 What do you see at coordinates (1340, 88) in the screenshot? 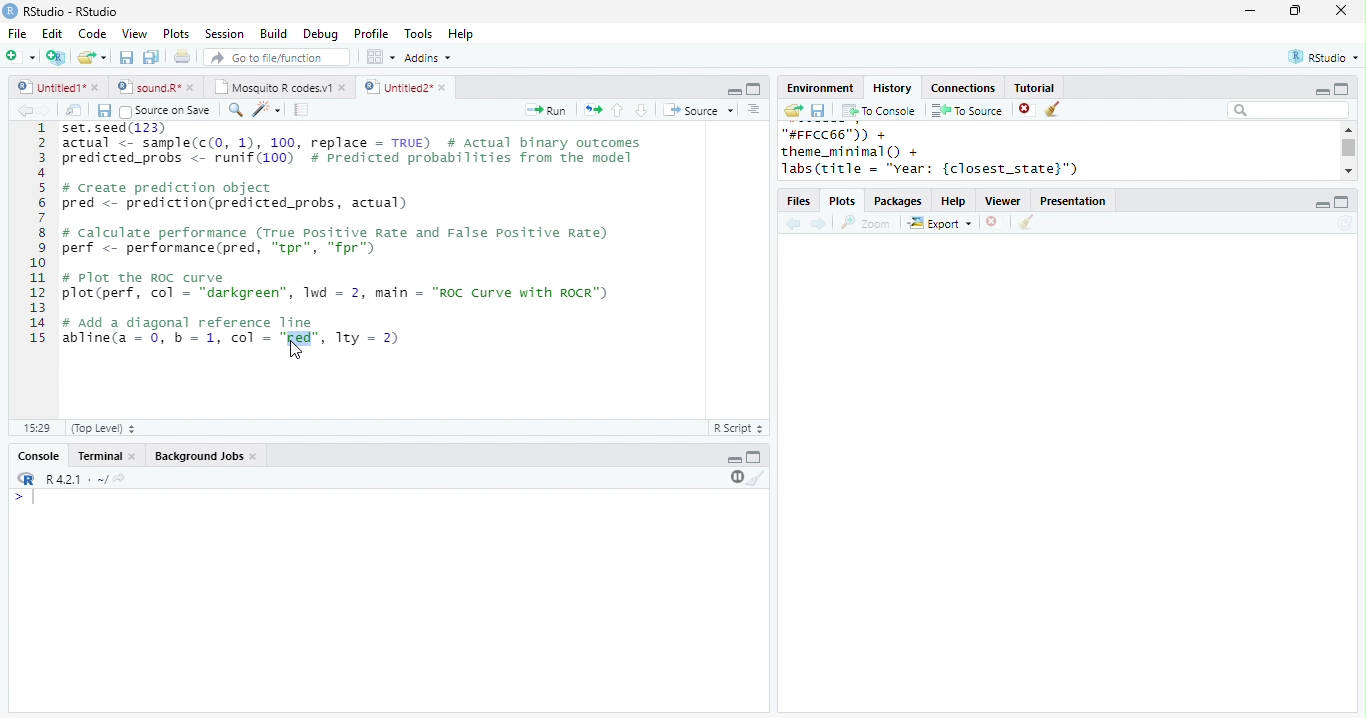
I see `maximize` at bounding box center [1340, 88].